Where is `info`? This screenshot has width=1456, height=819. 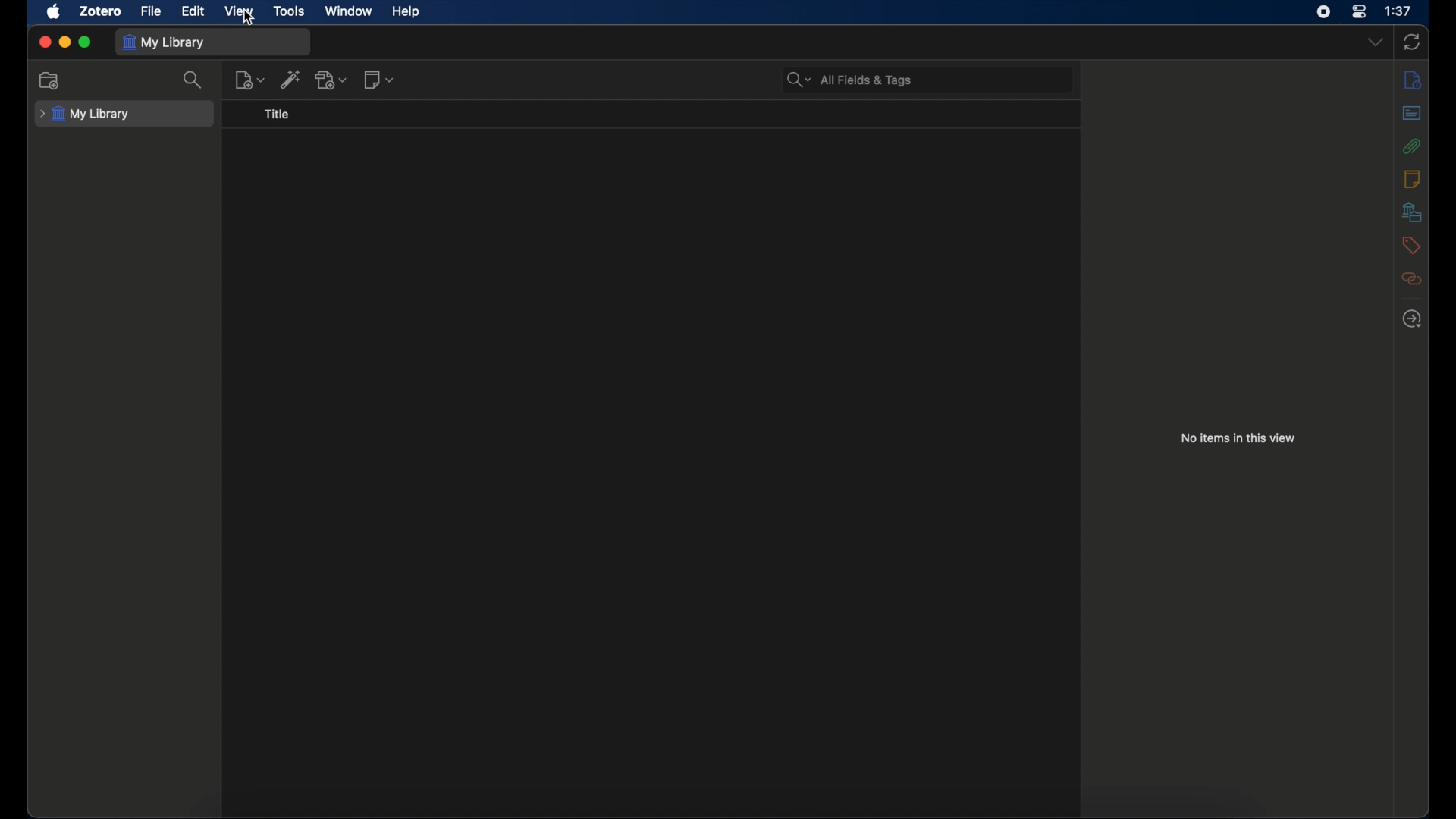
info is located at coordinates (1414, 79).